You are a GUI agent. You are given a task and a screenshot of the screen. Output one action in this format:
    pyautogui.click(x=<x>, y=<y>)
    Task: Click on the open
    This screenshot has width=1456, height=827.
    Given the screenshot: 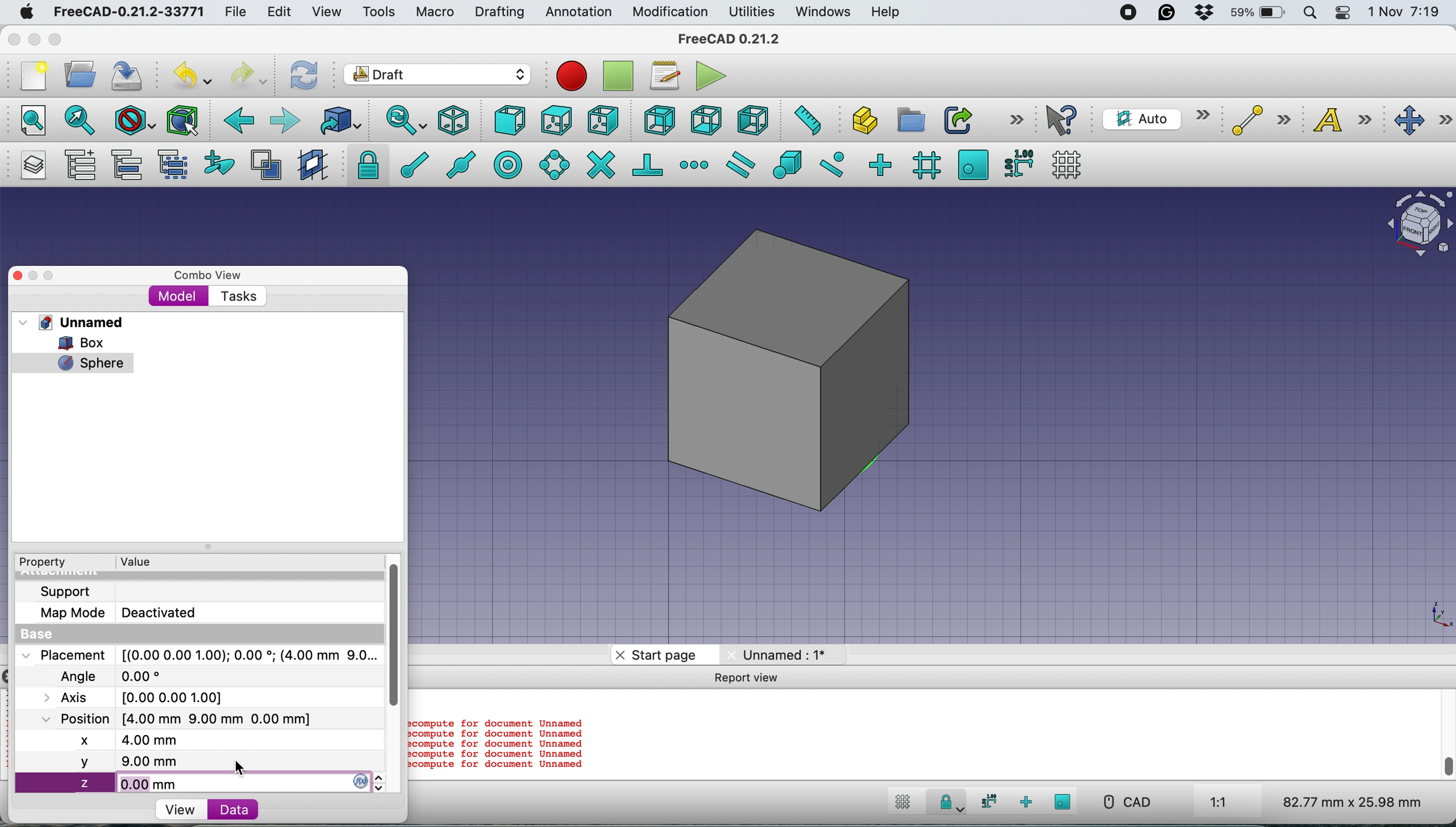 What is the action you would take?
    pyautogui.click(x=85, y=74)
    